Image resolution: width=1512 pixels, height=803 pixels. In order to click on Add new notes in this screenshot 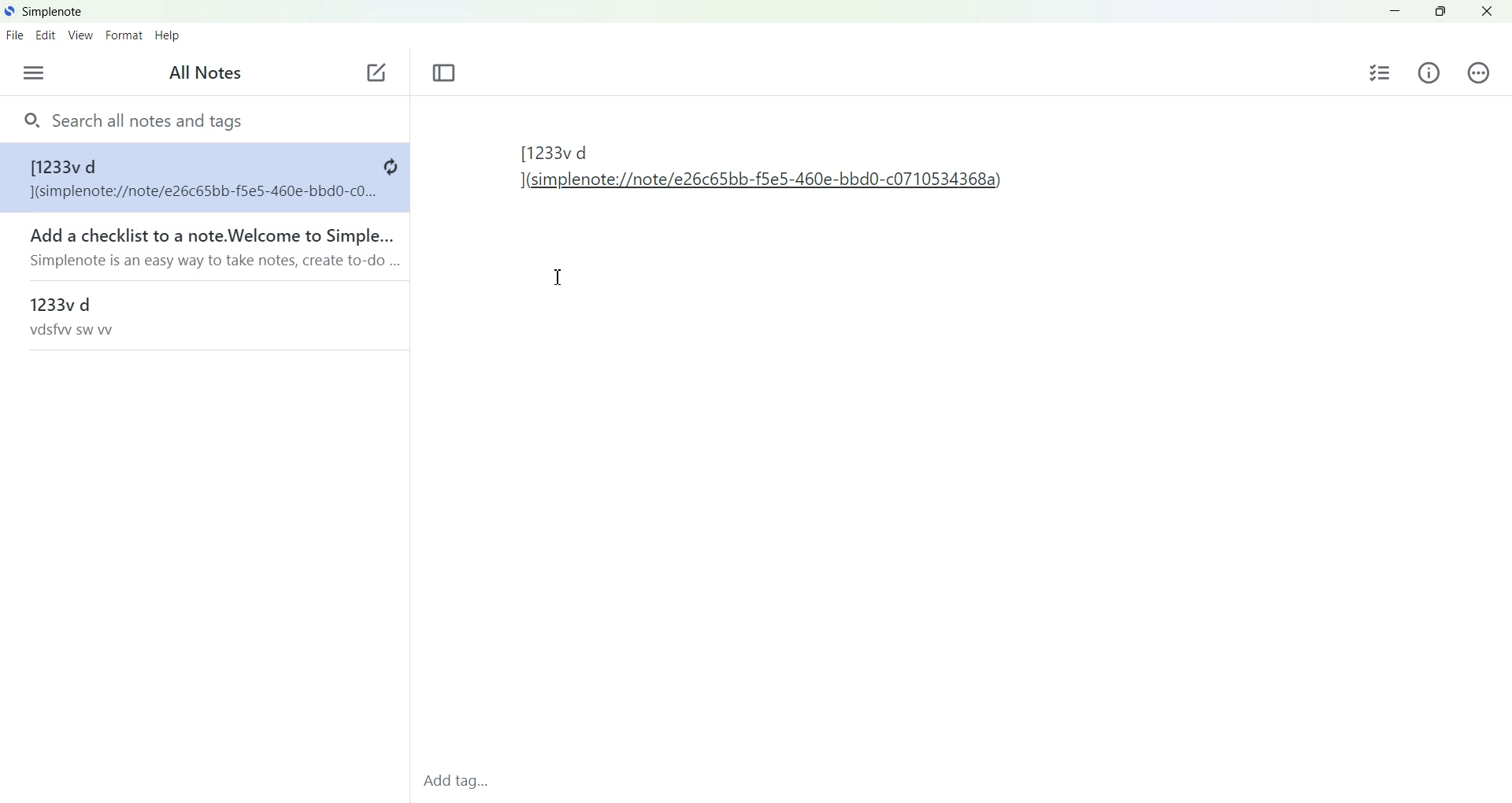, I will do `click(375, 73)`.